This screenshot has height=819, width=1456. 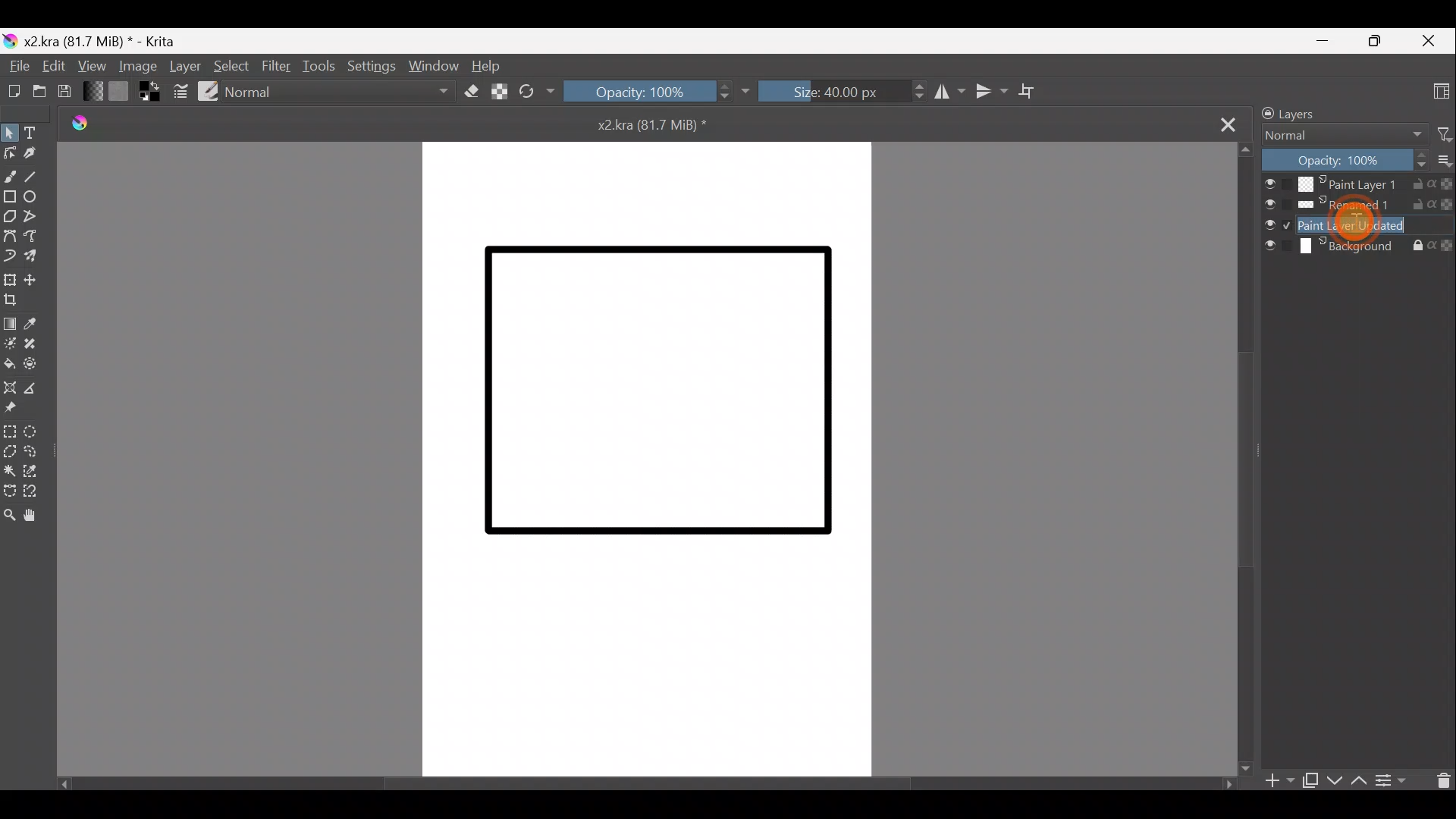 What do you see at coordinates (17, 65) in the screenshot?
I see `File` at bounding box center [17, 65].